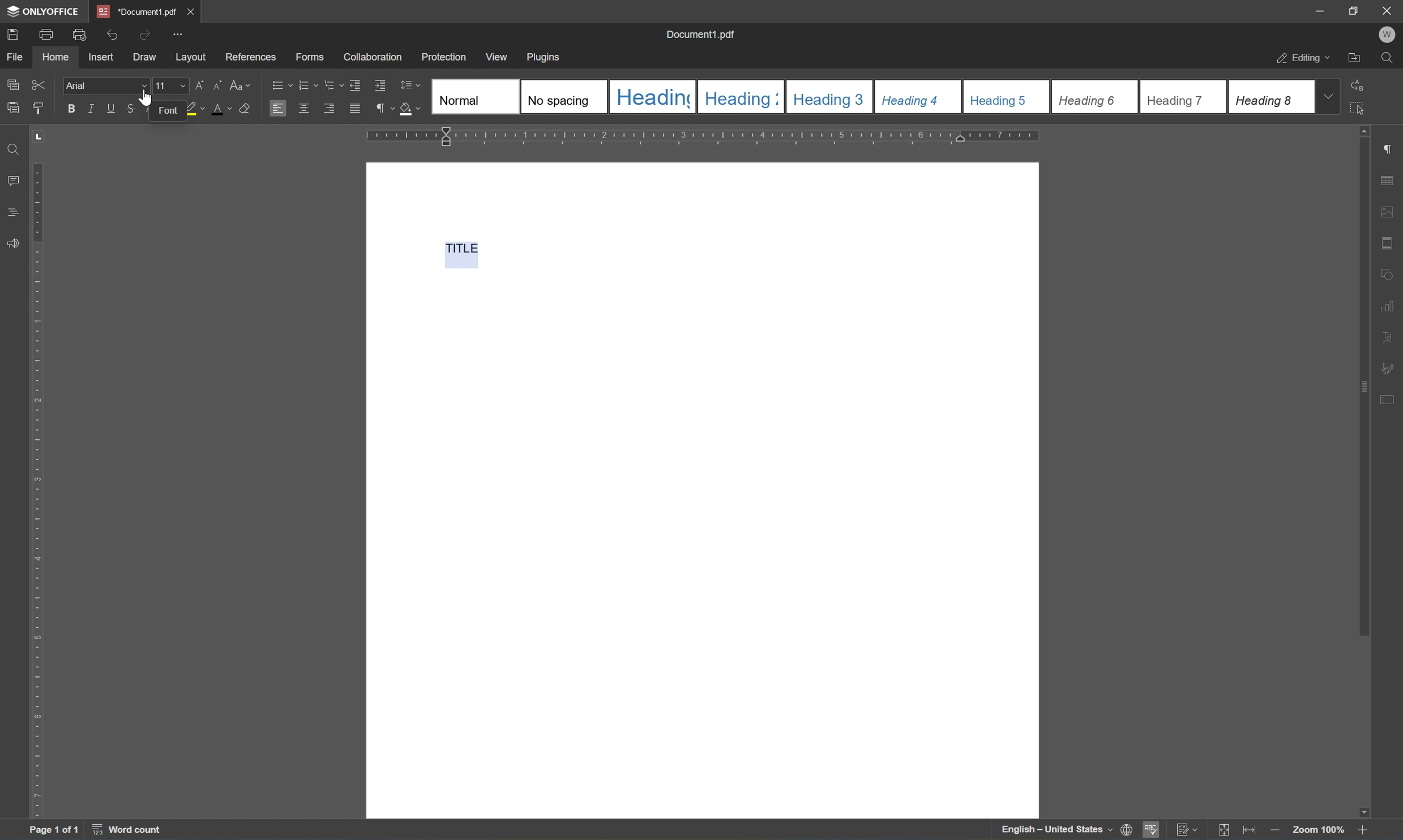  Describe the element at coordinates (1066, 831) in the screenshot. I see `set document language` at that location.